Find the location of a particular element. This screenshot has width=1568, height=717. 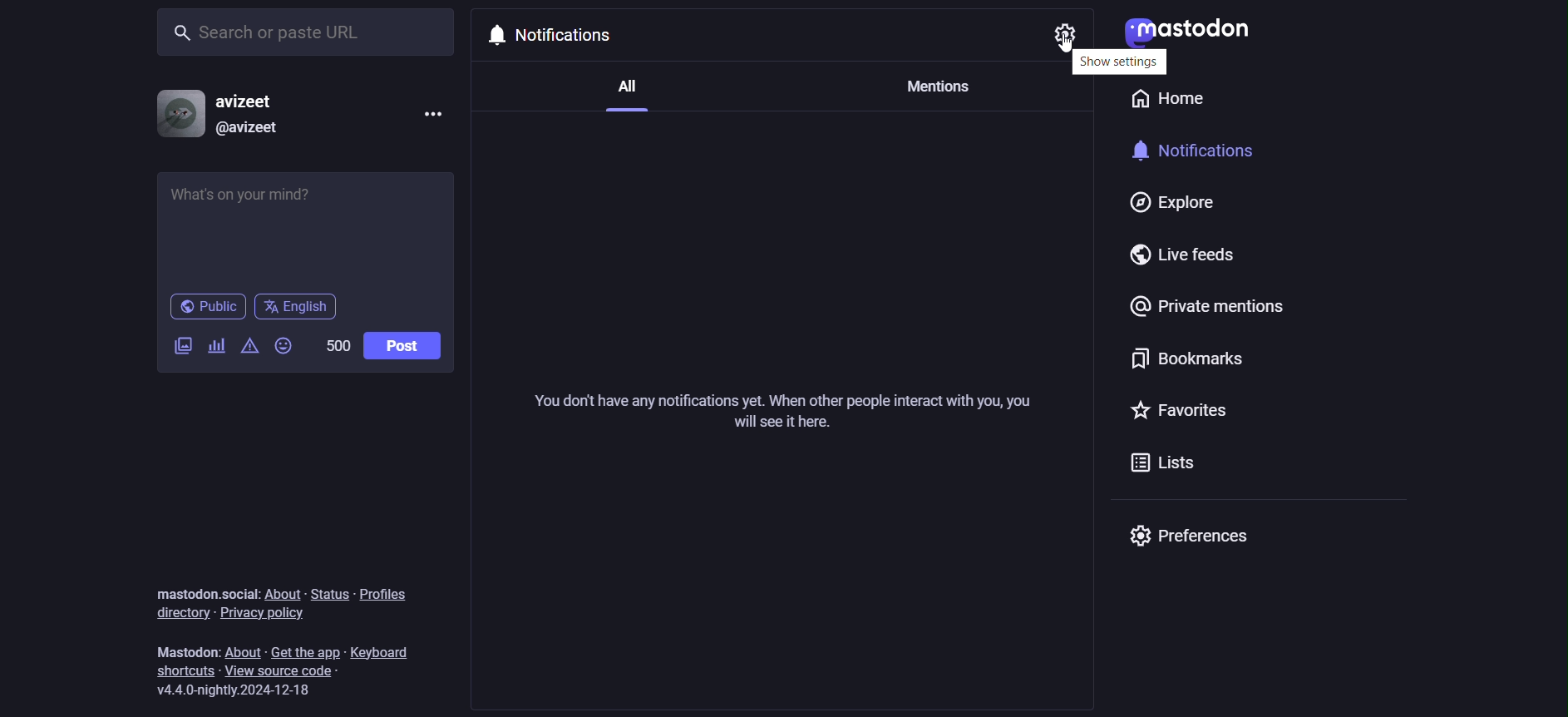

@username is located at coordinates (254, 132).